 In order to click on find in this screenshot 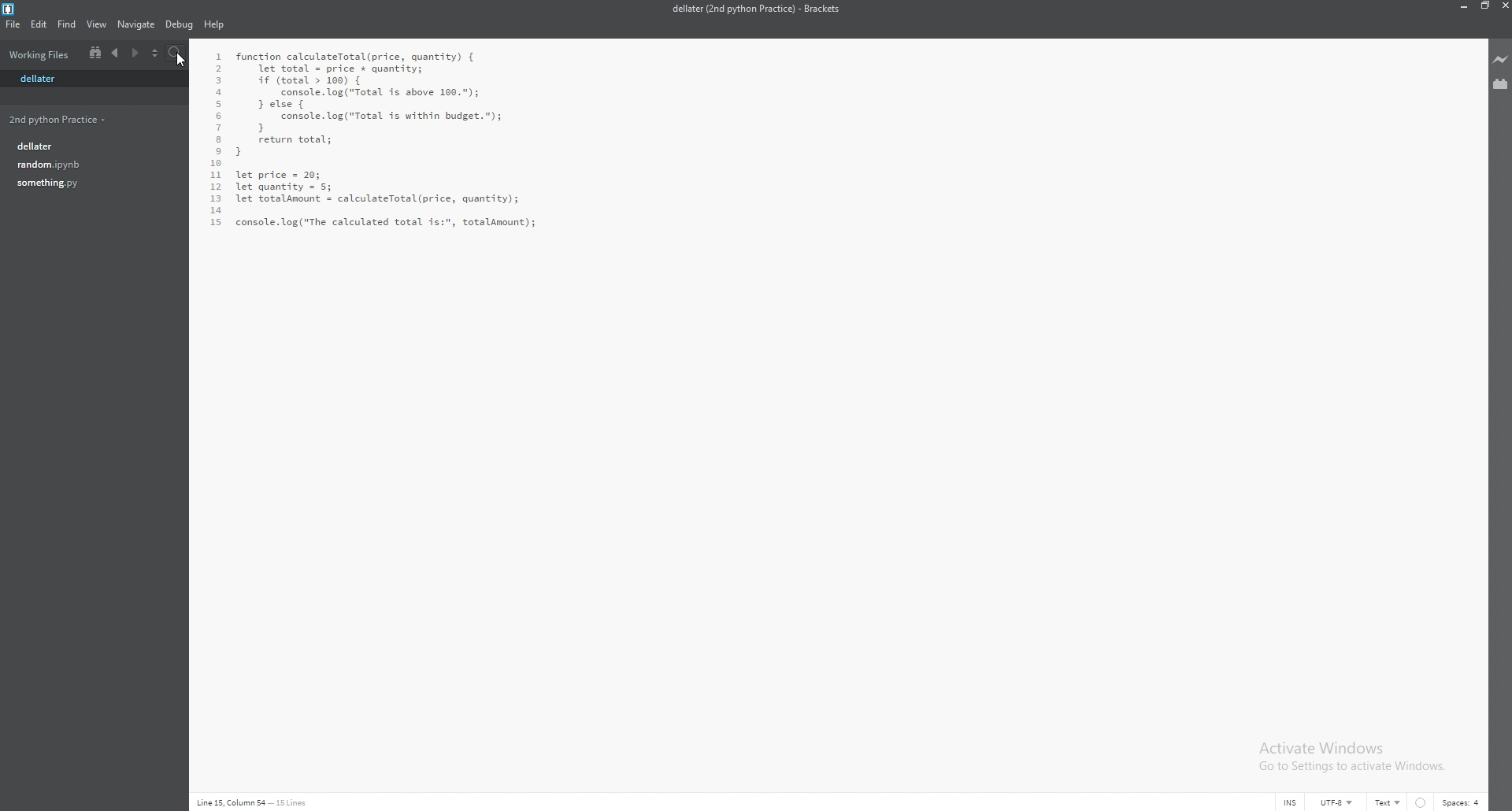, I will do `click(65, 24)`.